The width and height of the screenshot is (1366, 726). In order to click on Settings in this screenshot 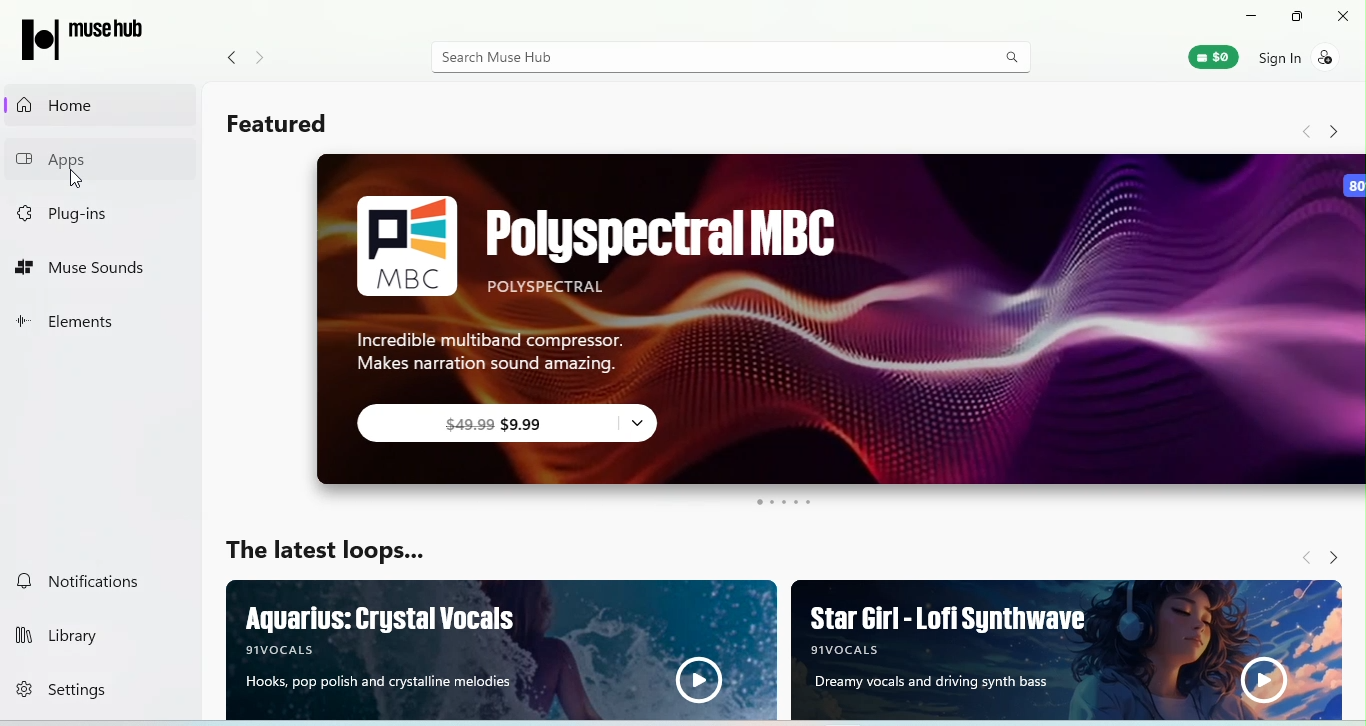, I will do `click(86, 693)`.